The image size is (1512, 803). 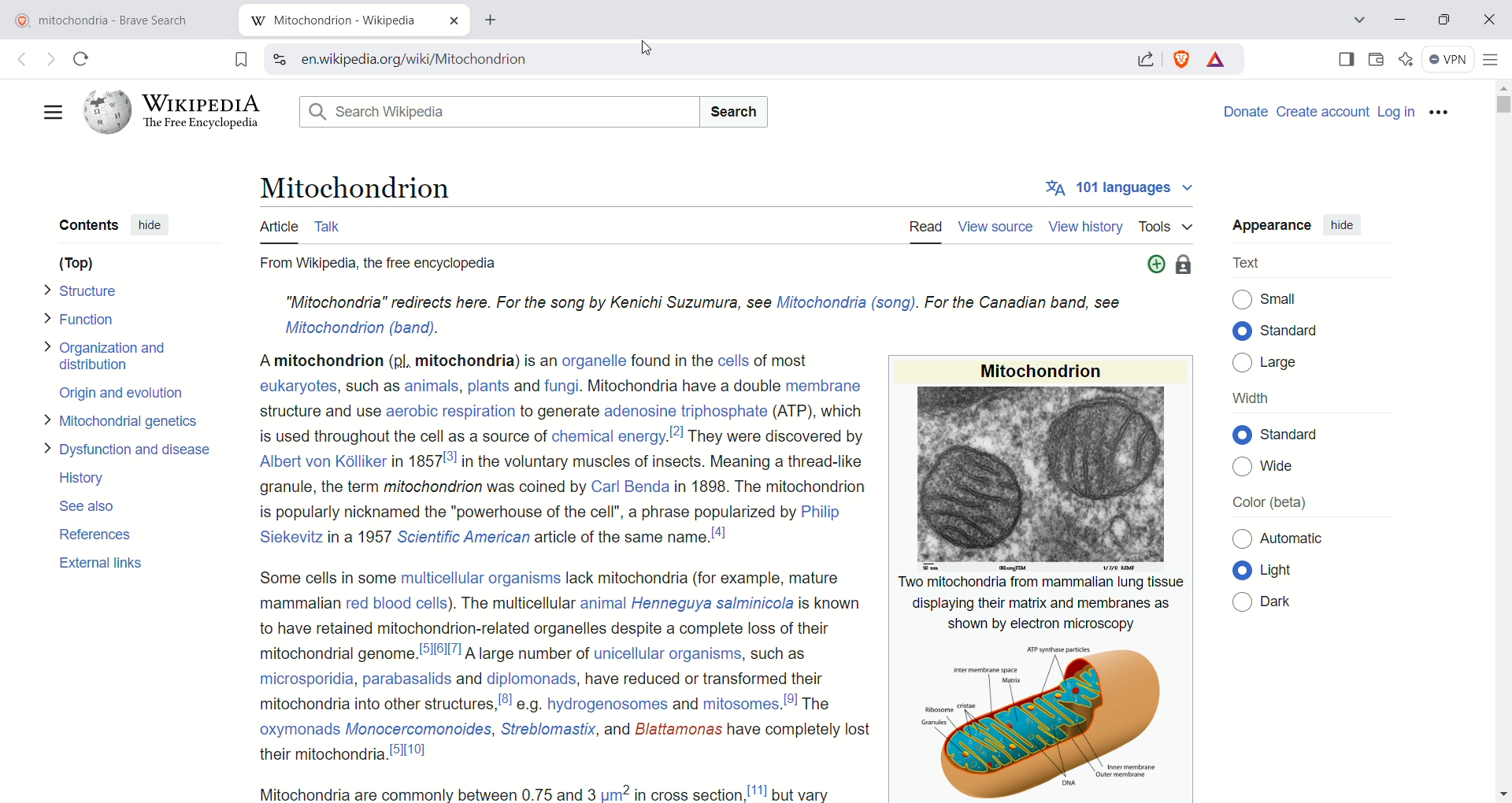 I want to click on Some cells in some multicellular organisms lack mitochondria (for example, maturemammalian red blood cells). The multicellular animal Henneguya salminicola is knownto have retained mitochondrion-related organelles despite a complete loss of theirmitochondrial genome. 87) A large number of unicellular organisms, such asmicrosporidia, parabasalids and diplomonads, have reduced or transformed theirmitochondria into other structures, €] e.g. hydrogenosomes and mitosomes.[¥] Theoxymonads Monocercomonoides, Streblomastix, and Blattamonas have completely losttheir mitochondria., so click(x=550, y=667).